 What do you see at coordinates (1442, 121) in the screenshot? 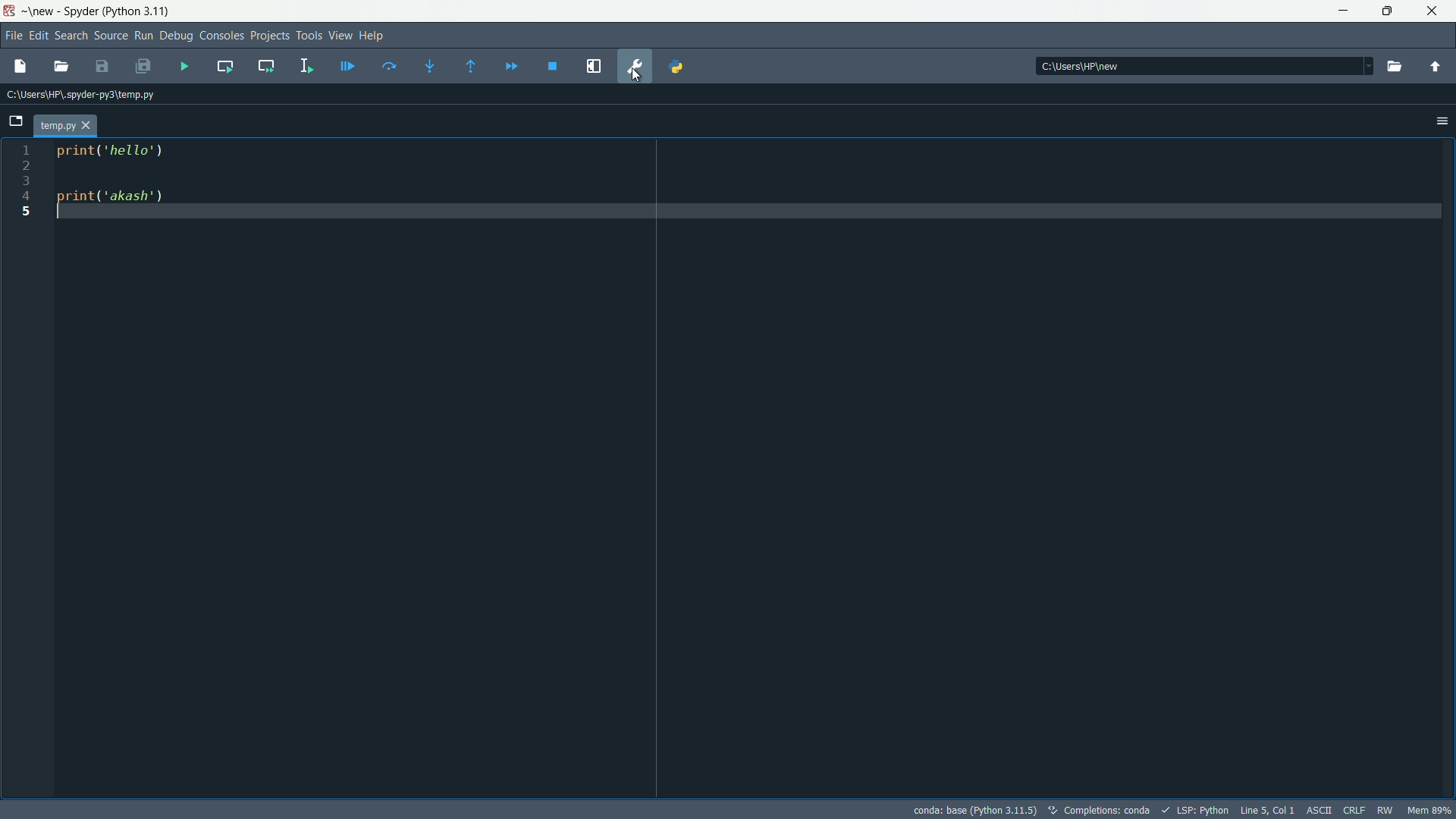
I see `options` at bounding box center [1442, 121].